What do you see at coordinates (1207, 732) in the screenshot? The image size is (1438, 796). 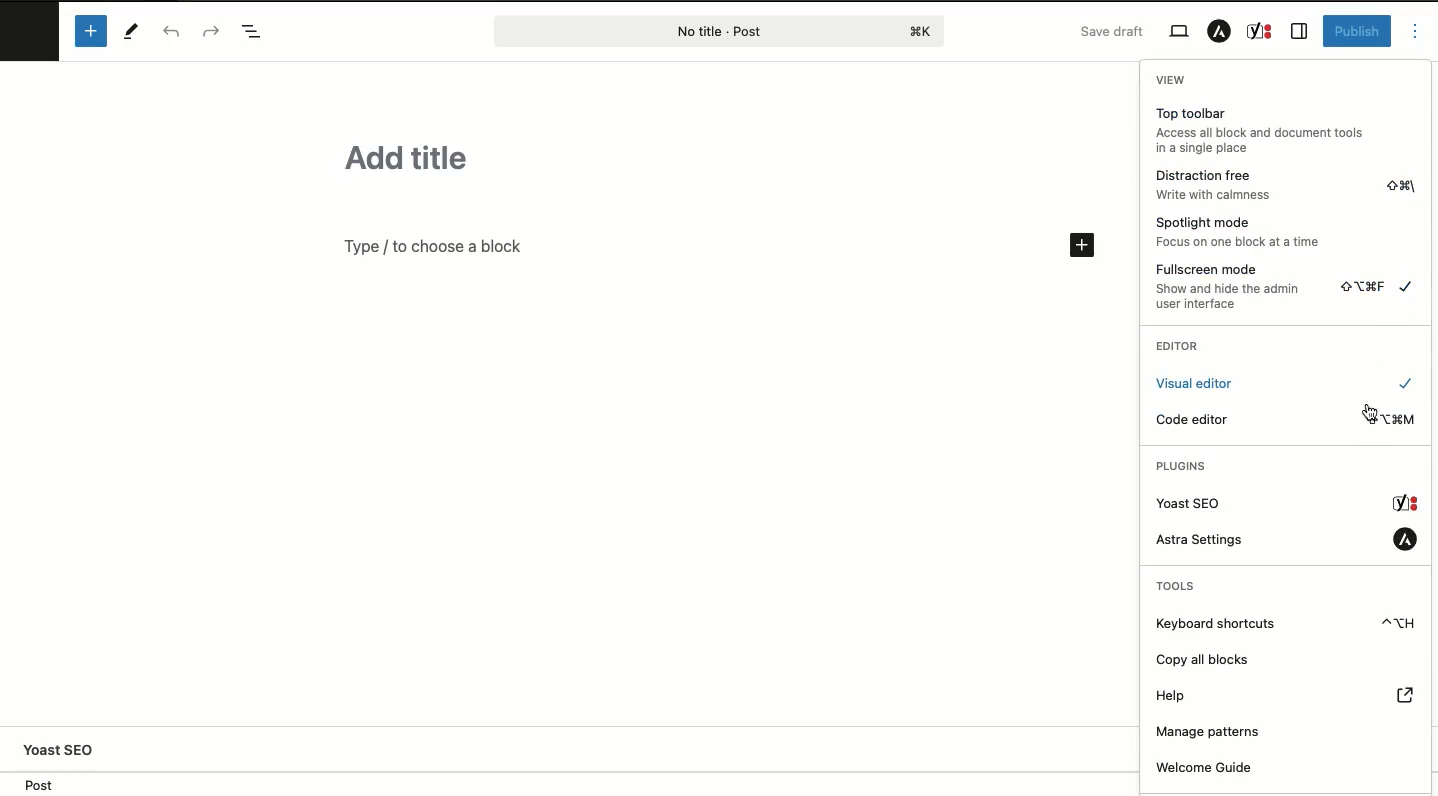 I see `Manage patterns` at bounding box center [1207, 732].